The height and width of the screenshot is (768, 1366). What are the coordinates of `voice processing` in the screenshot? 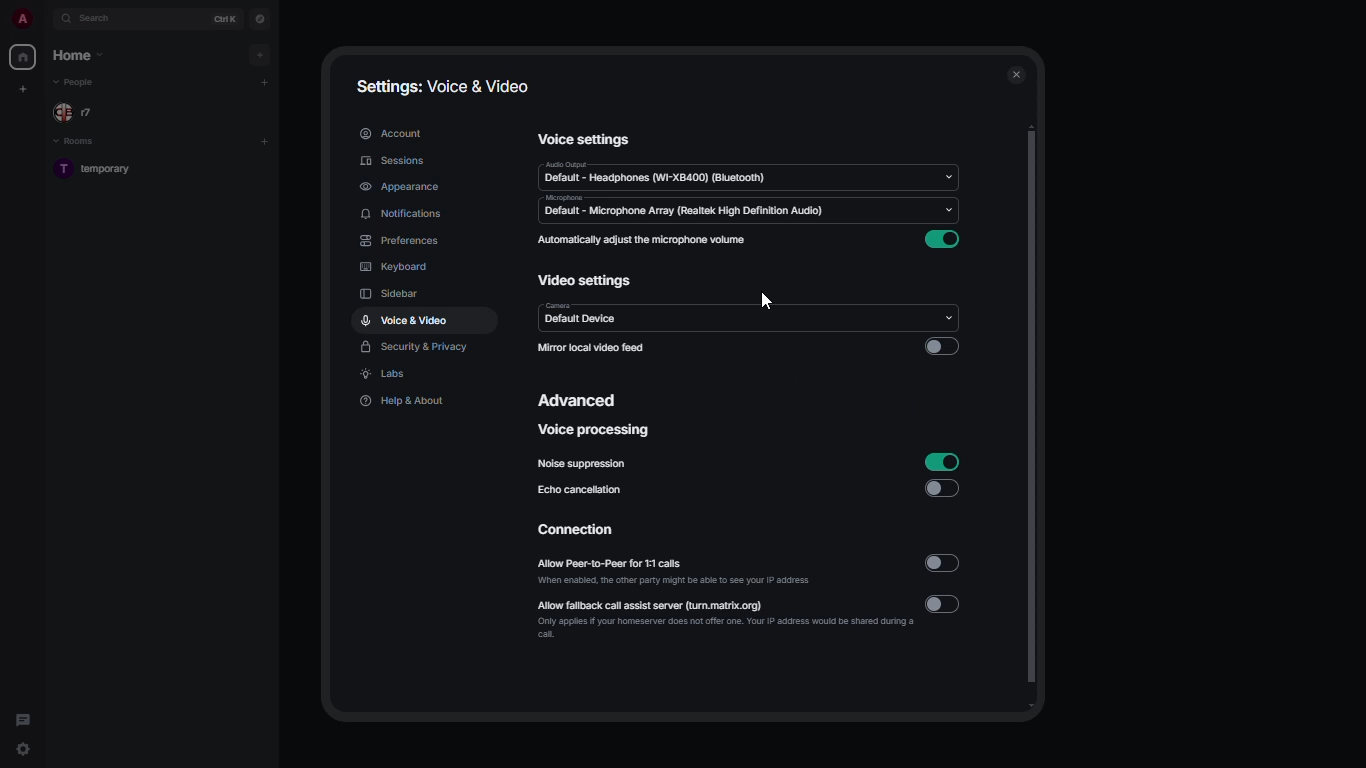 It's located at (596, 429).